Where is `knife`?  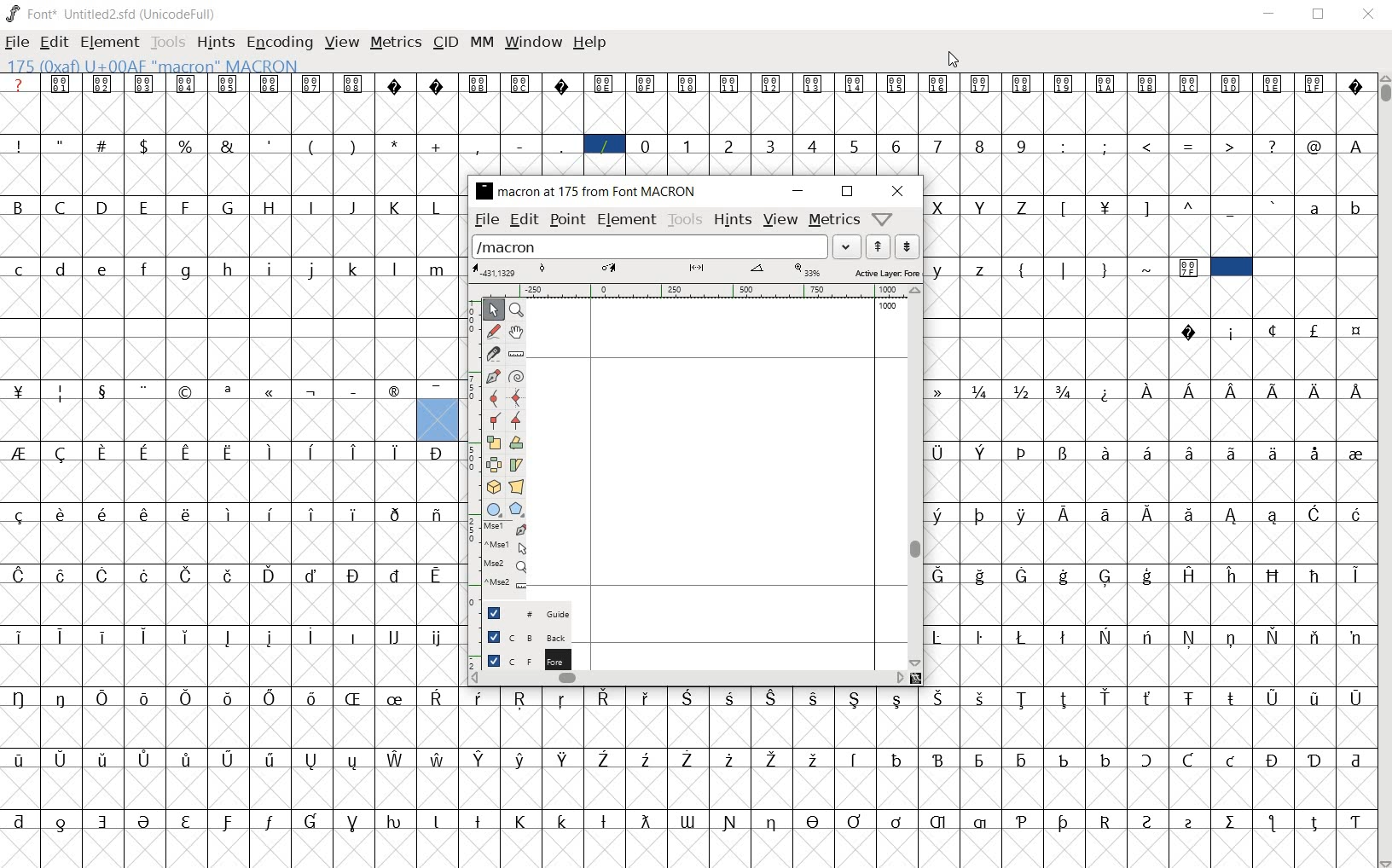 knife is located at coordinates (492, 354).